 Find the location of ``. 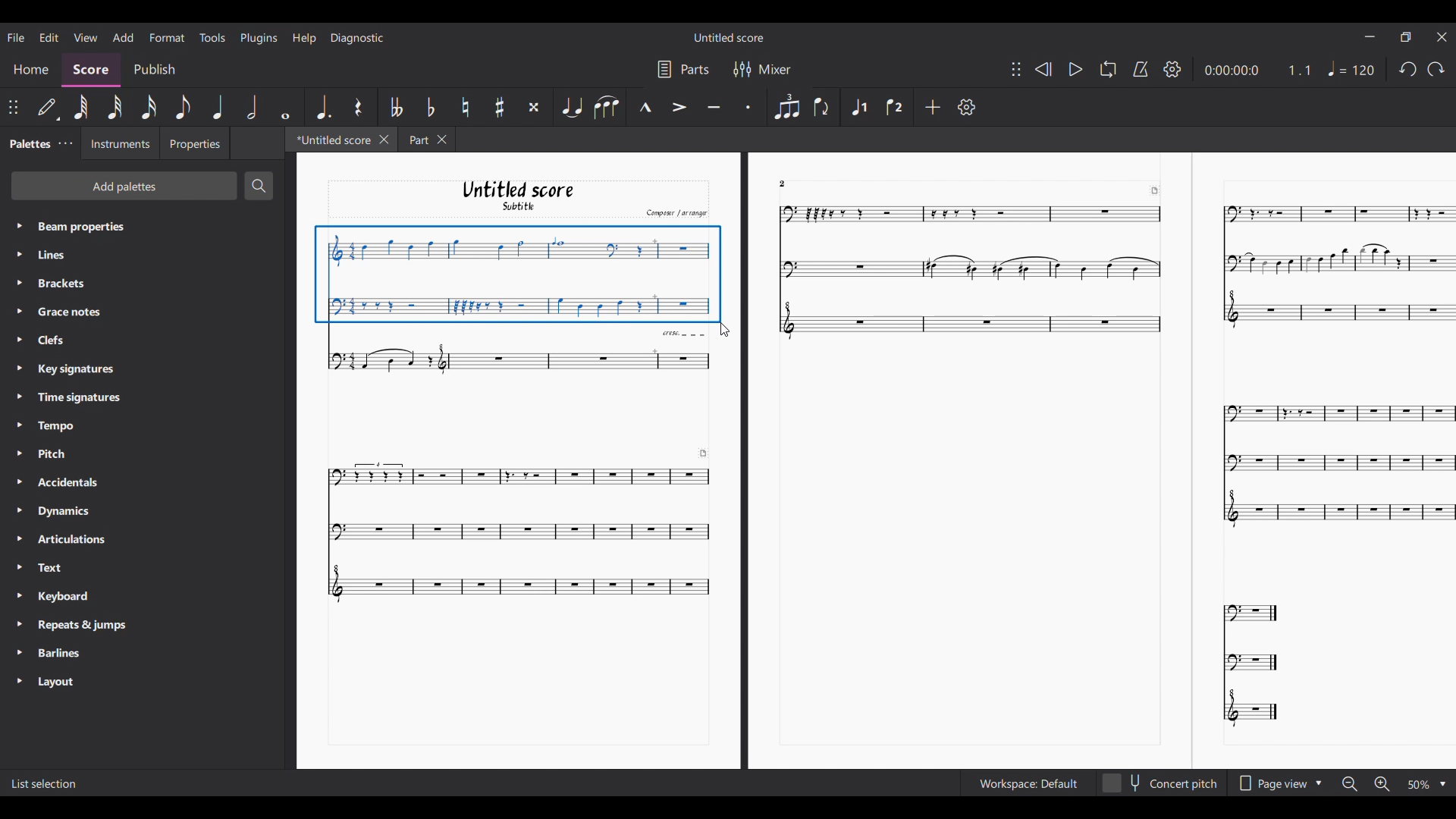

 is located at coordinates (1338, 416).